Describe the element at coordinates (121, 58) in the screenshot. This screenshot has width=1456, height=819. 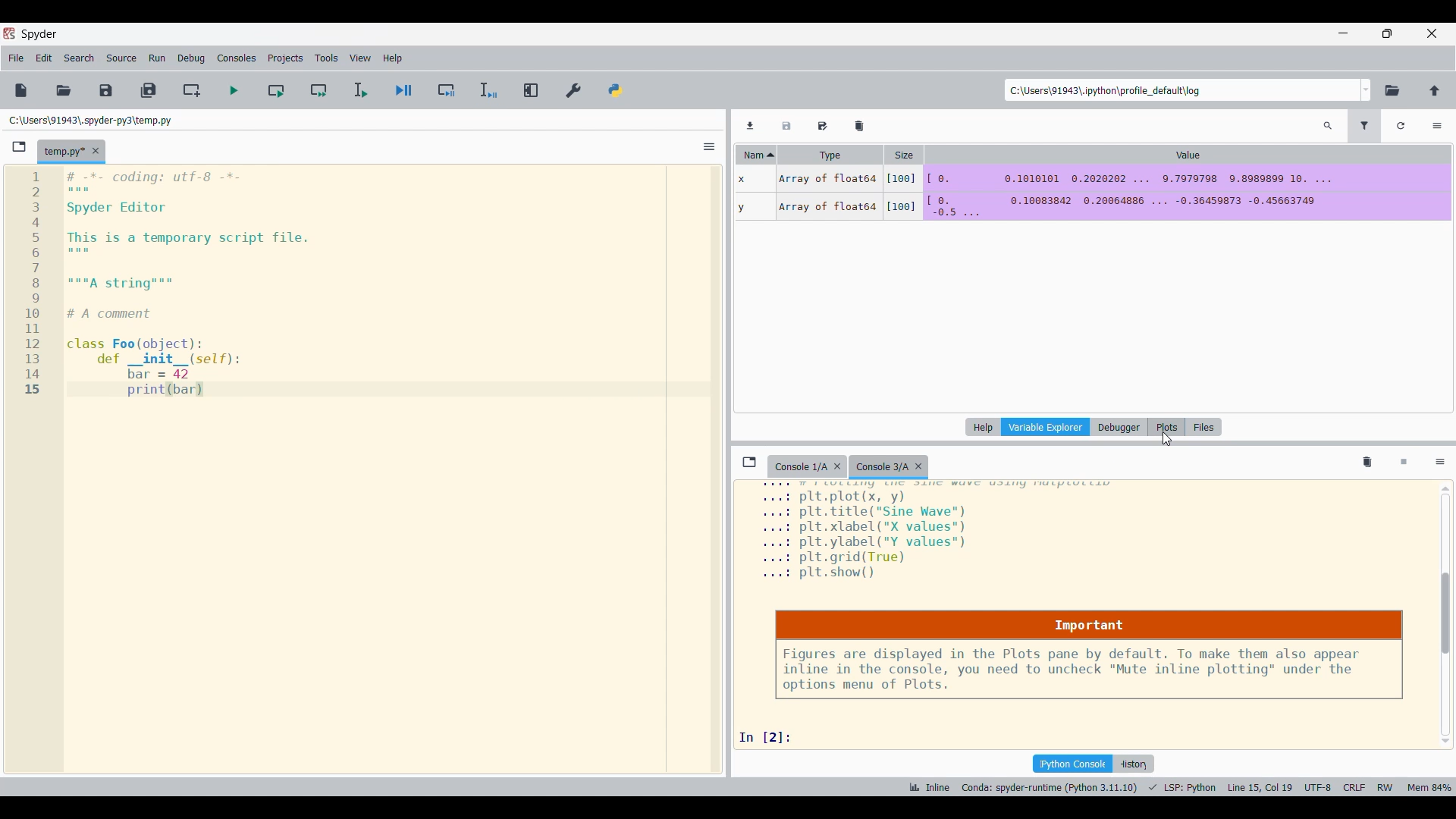
I see `Source menu` at that location.